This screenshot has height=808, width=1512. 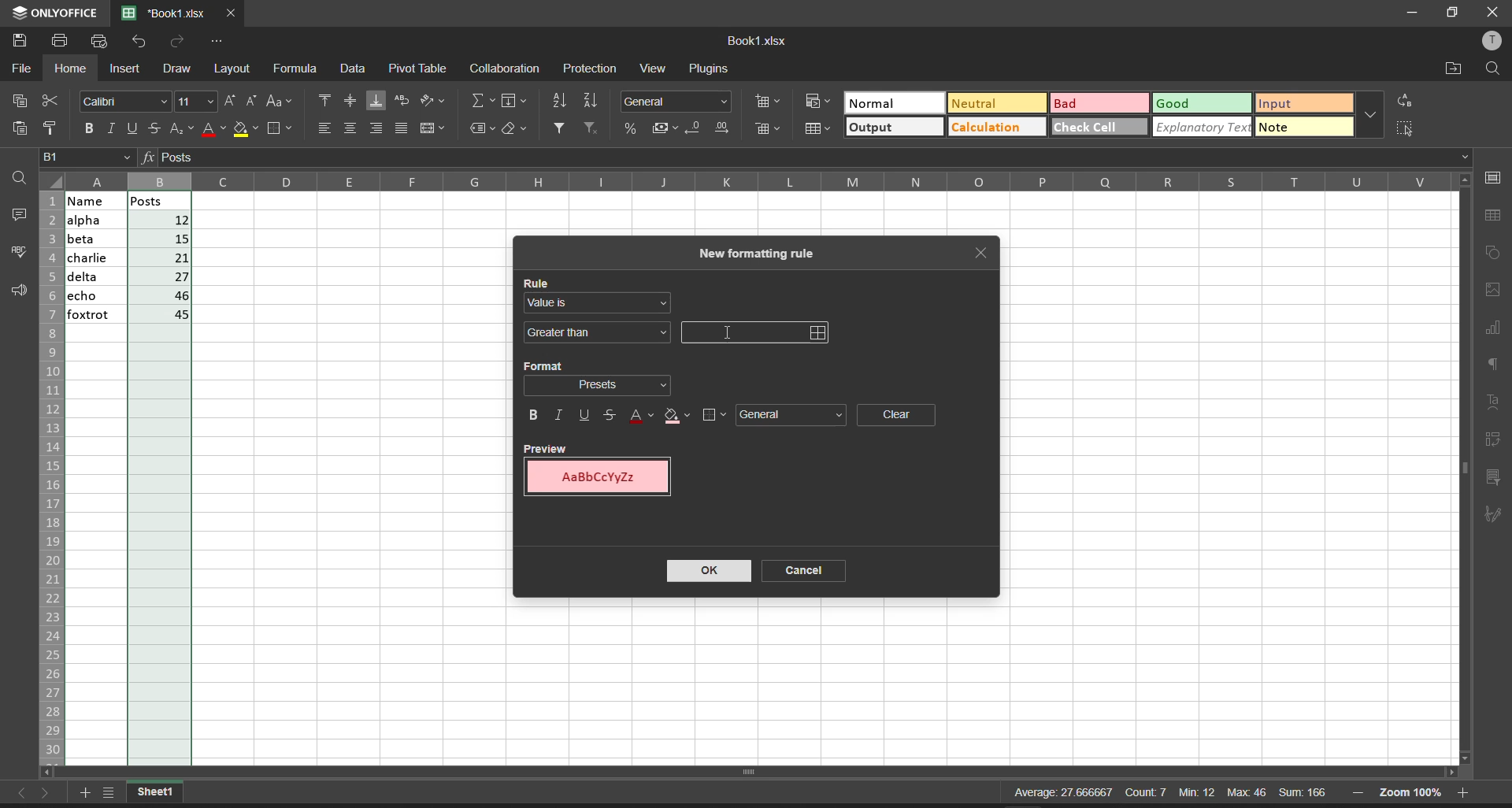 What do you see at coordinates (85, 131) in the screenshot?
I see `bold` at bounding box center [85, 131].